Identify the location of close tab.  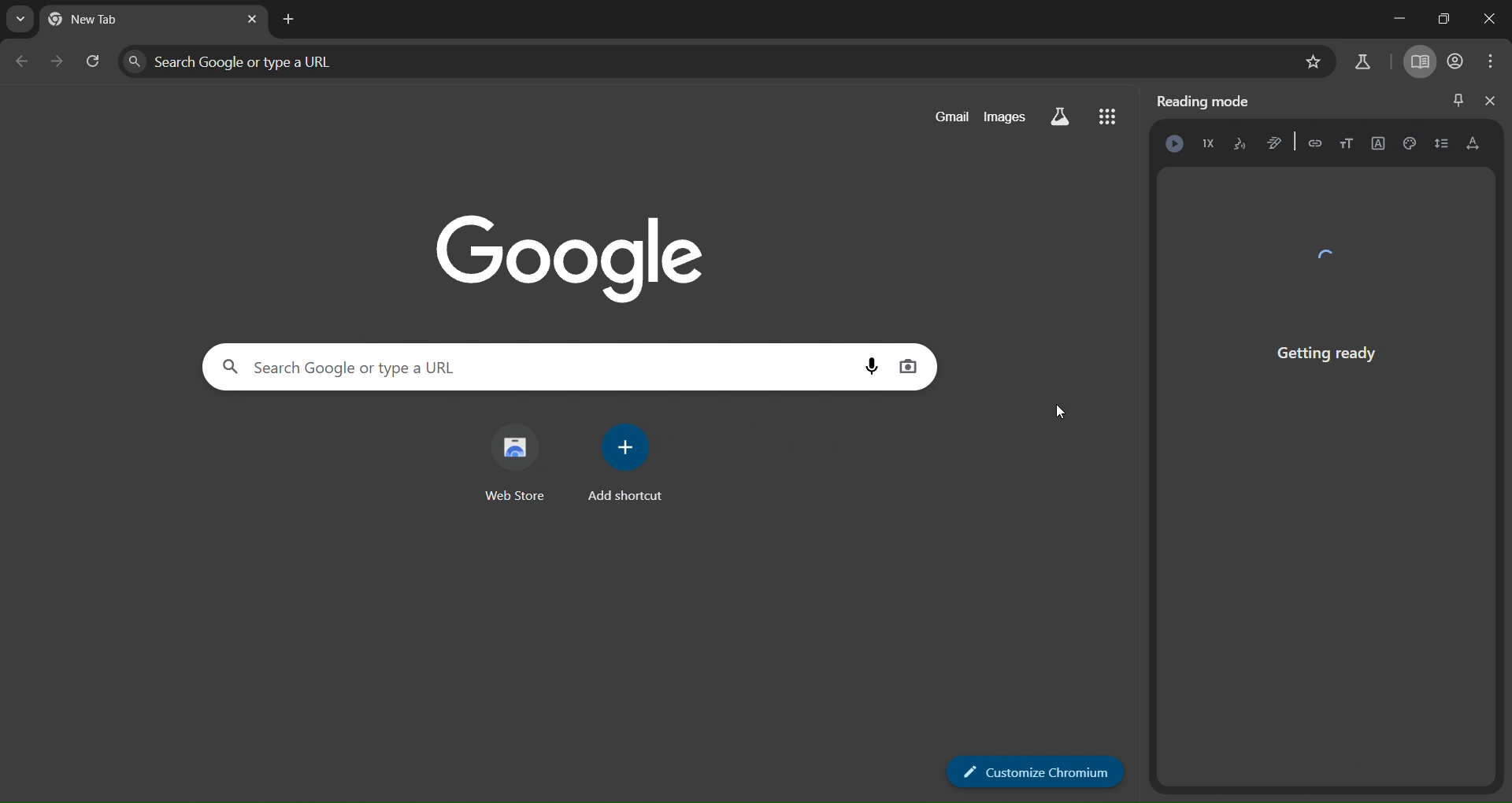
(252, 21).